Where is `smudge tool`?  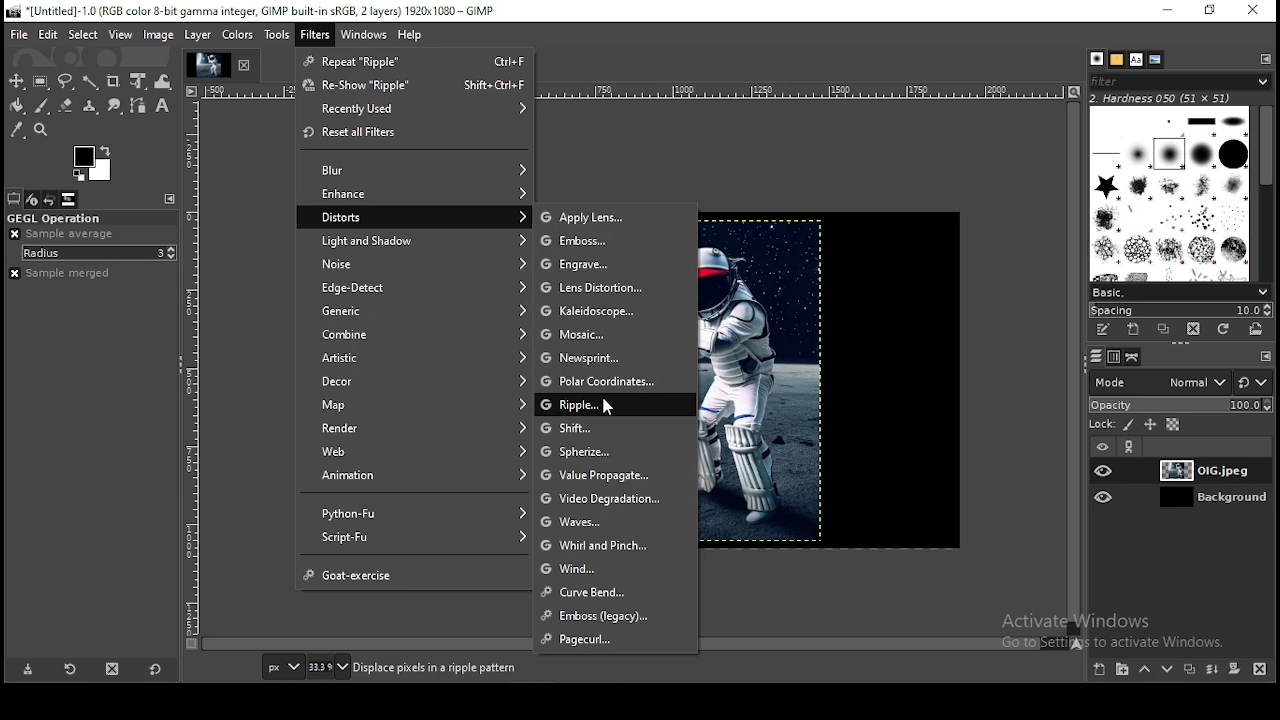 smudge tool is located at coordinates (116, 107).